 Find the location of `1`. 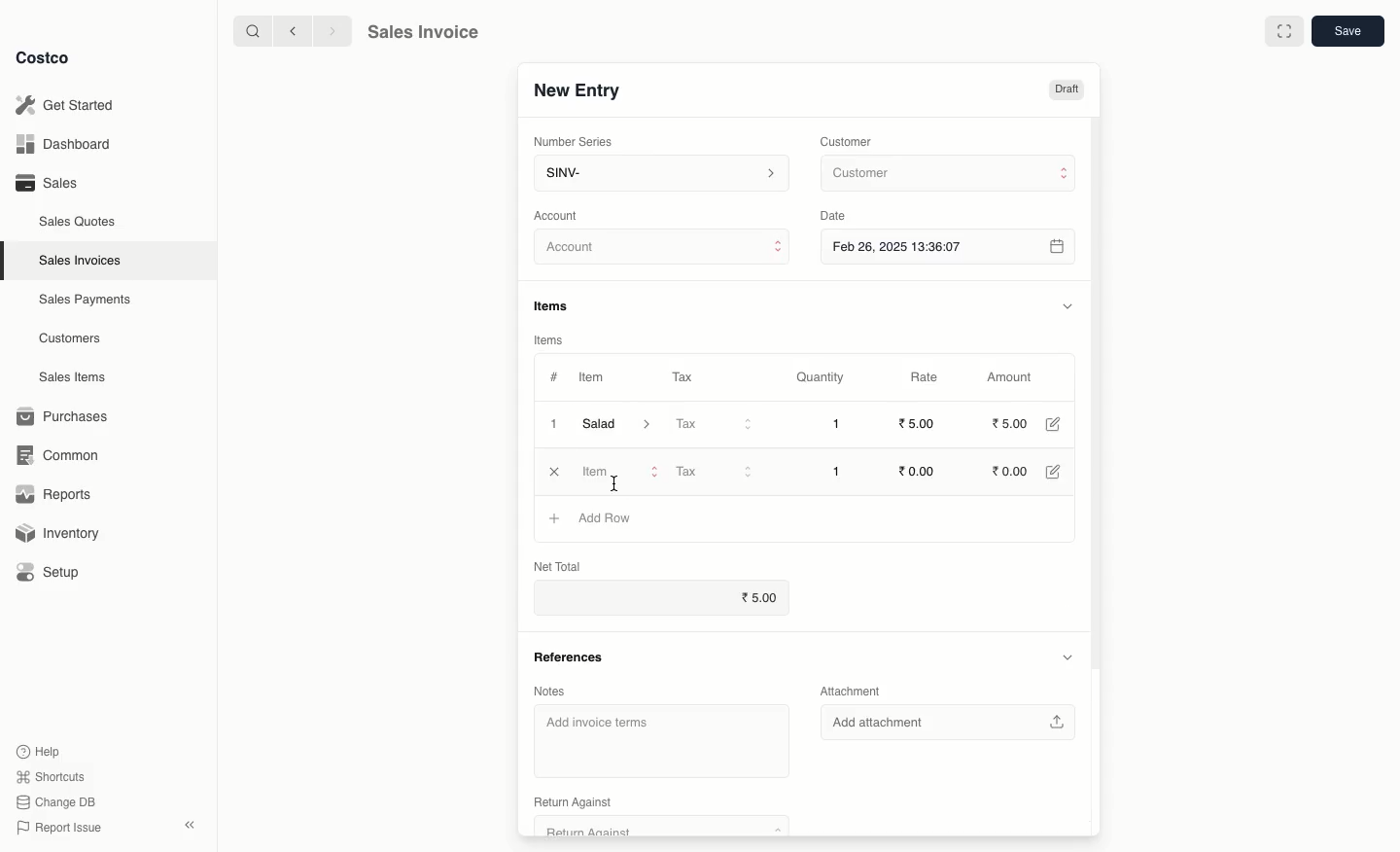

1 is located at coordinates (836, 424).